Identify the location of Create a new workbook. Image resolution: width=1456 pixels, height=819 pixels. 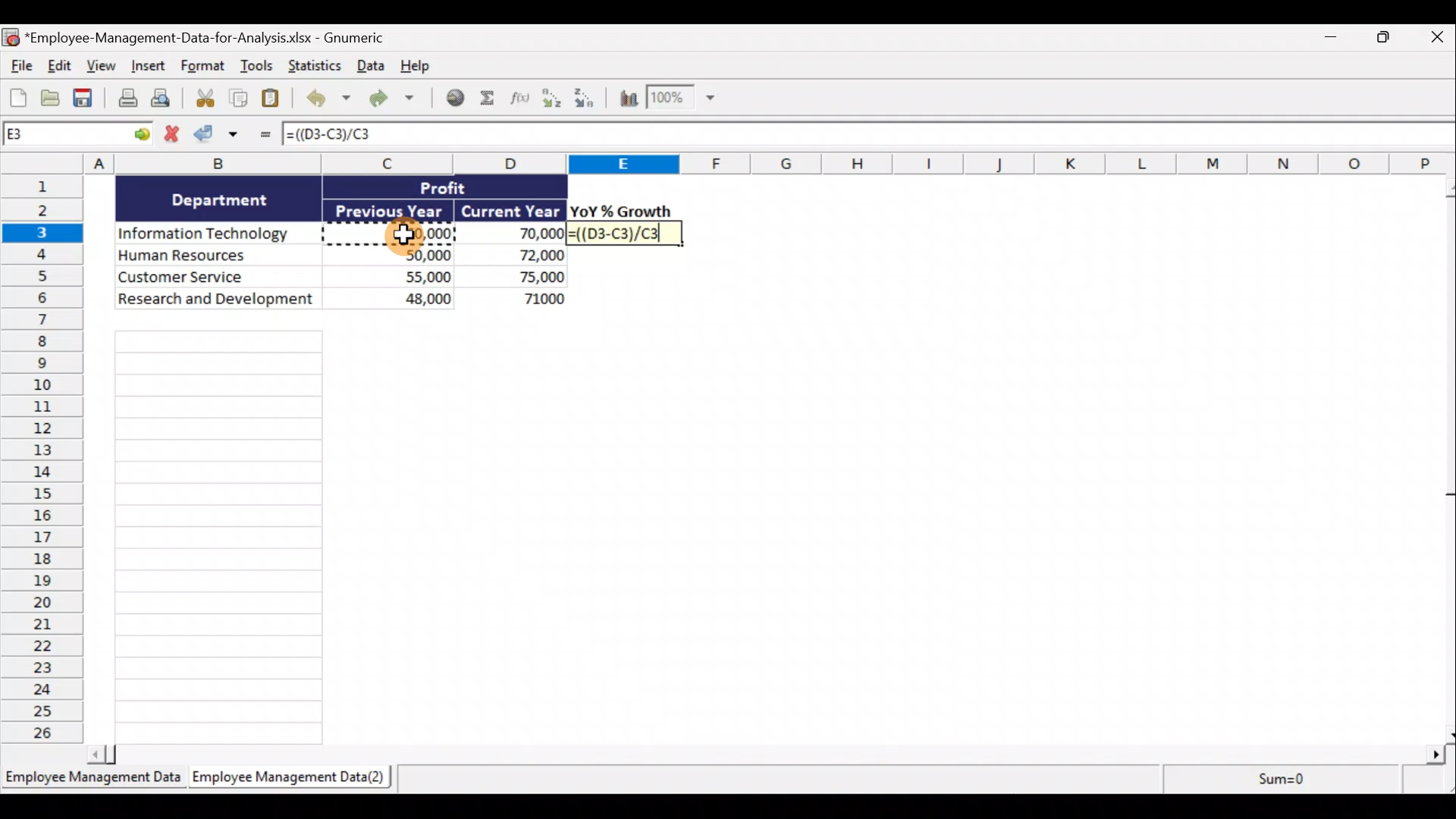
(18, 96).